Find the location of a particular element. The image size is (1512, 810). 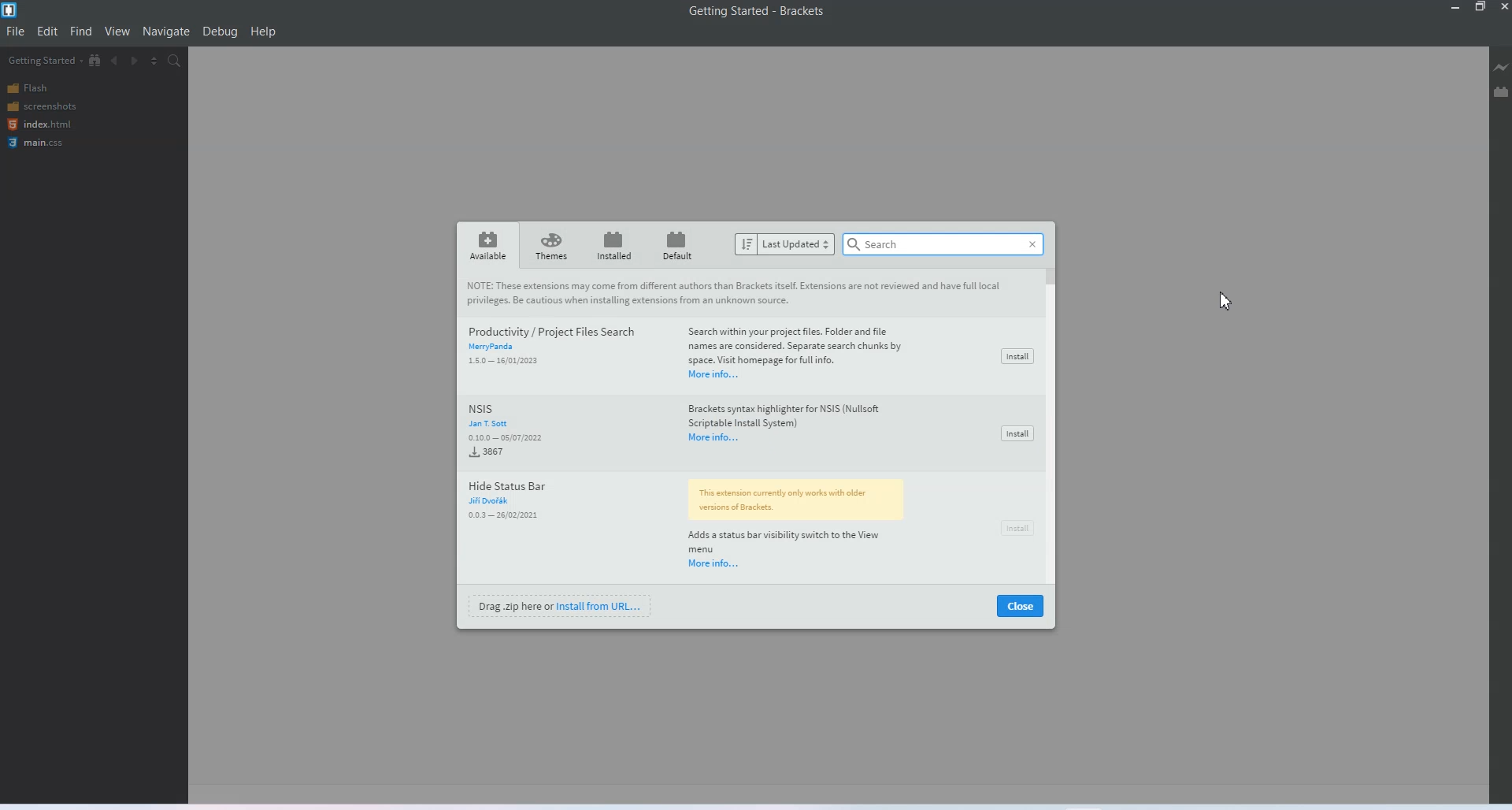

Show in file tree is located at coordinates (96, 60).